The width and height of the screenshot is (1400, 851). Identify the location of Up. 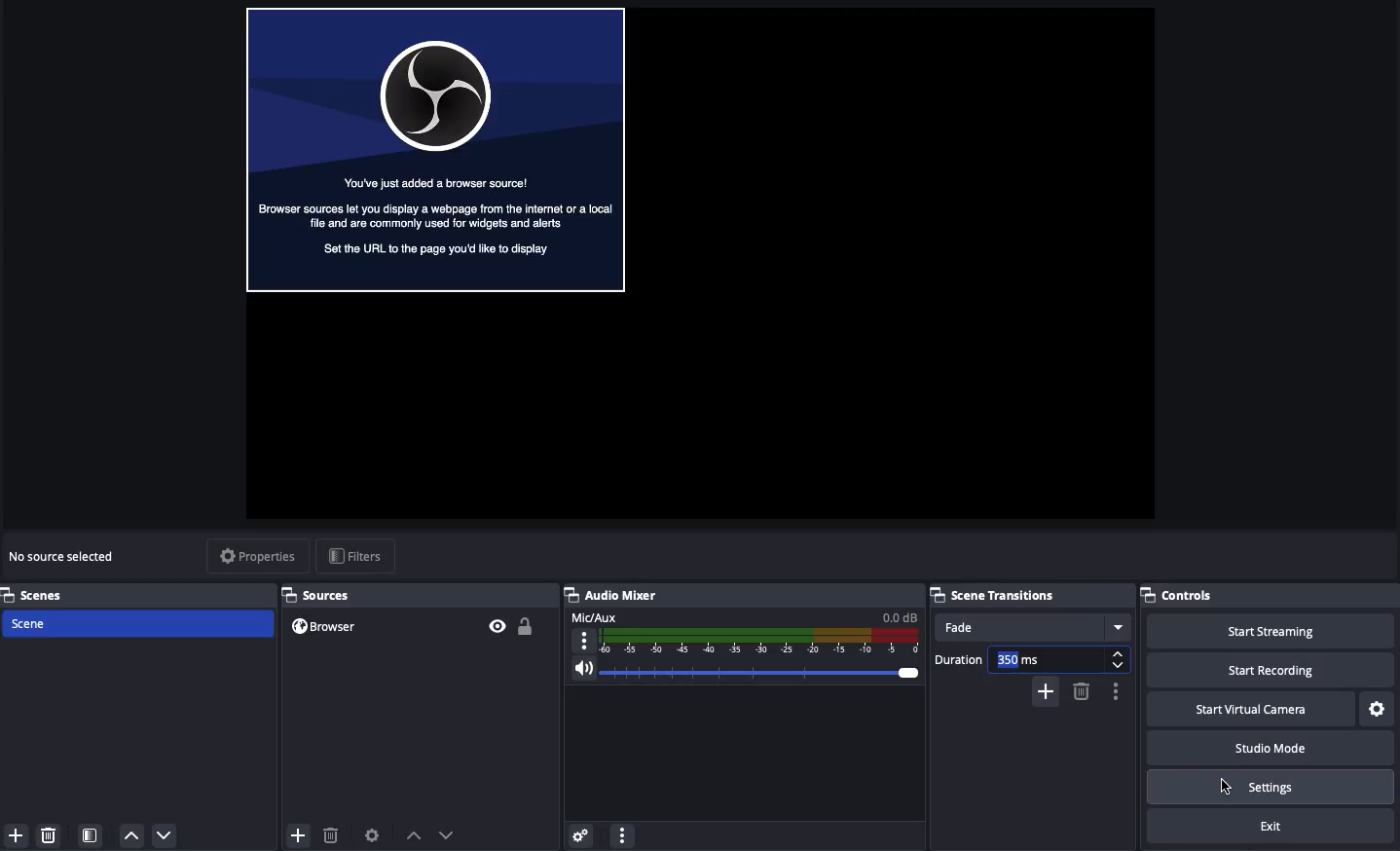
(129, 835).